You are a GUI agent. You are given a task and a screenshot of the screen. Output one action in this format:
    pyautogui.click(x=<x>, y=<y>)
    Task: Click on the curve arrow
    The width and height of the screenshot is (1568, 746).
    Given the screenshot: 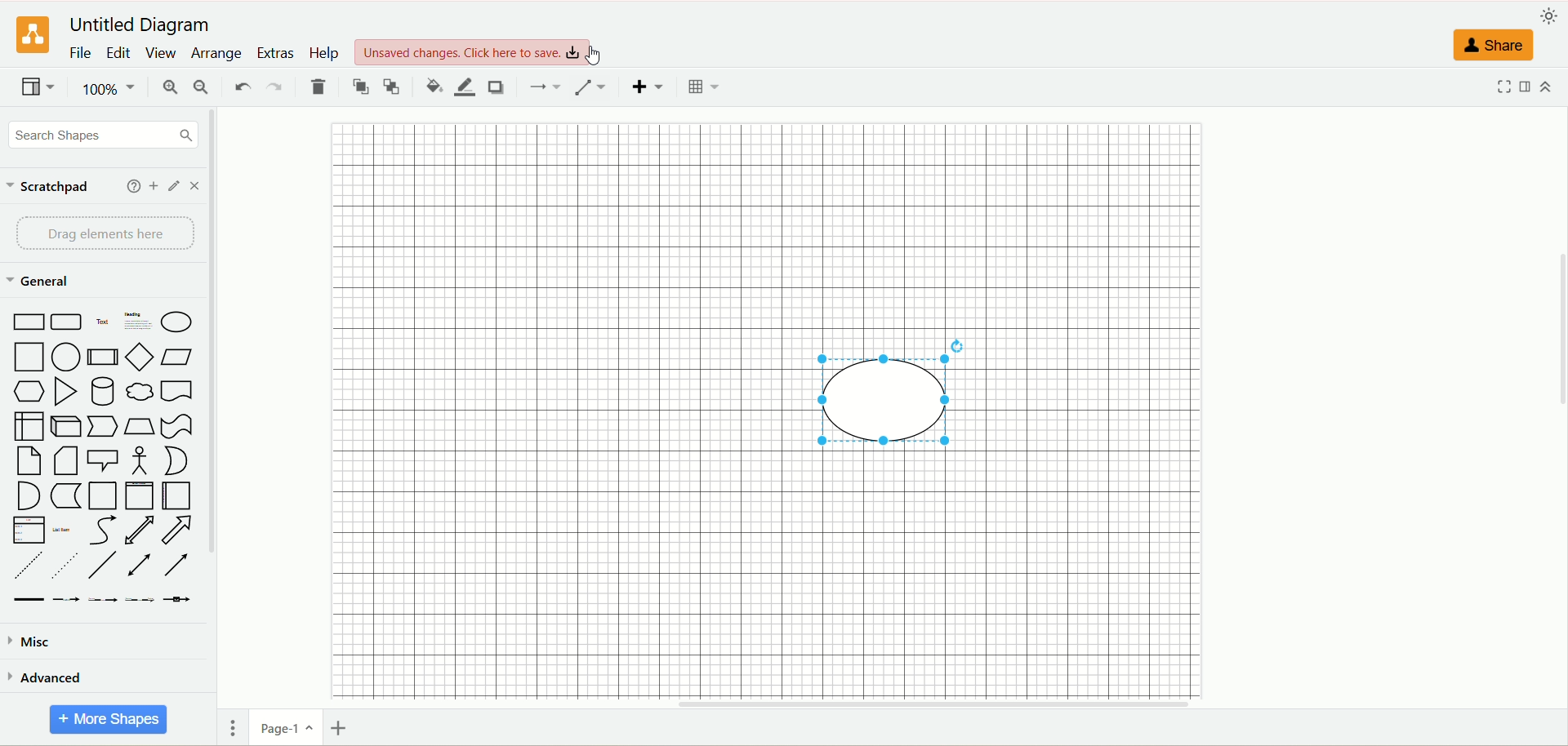 What is the action you would take?
    pyautogui.click(x=102, y=531)
    